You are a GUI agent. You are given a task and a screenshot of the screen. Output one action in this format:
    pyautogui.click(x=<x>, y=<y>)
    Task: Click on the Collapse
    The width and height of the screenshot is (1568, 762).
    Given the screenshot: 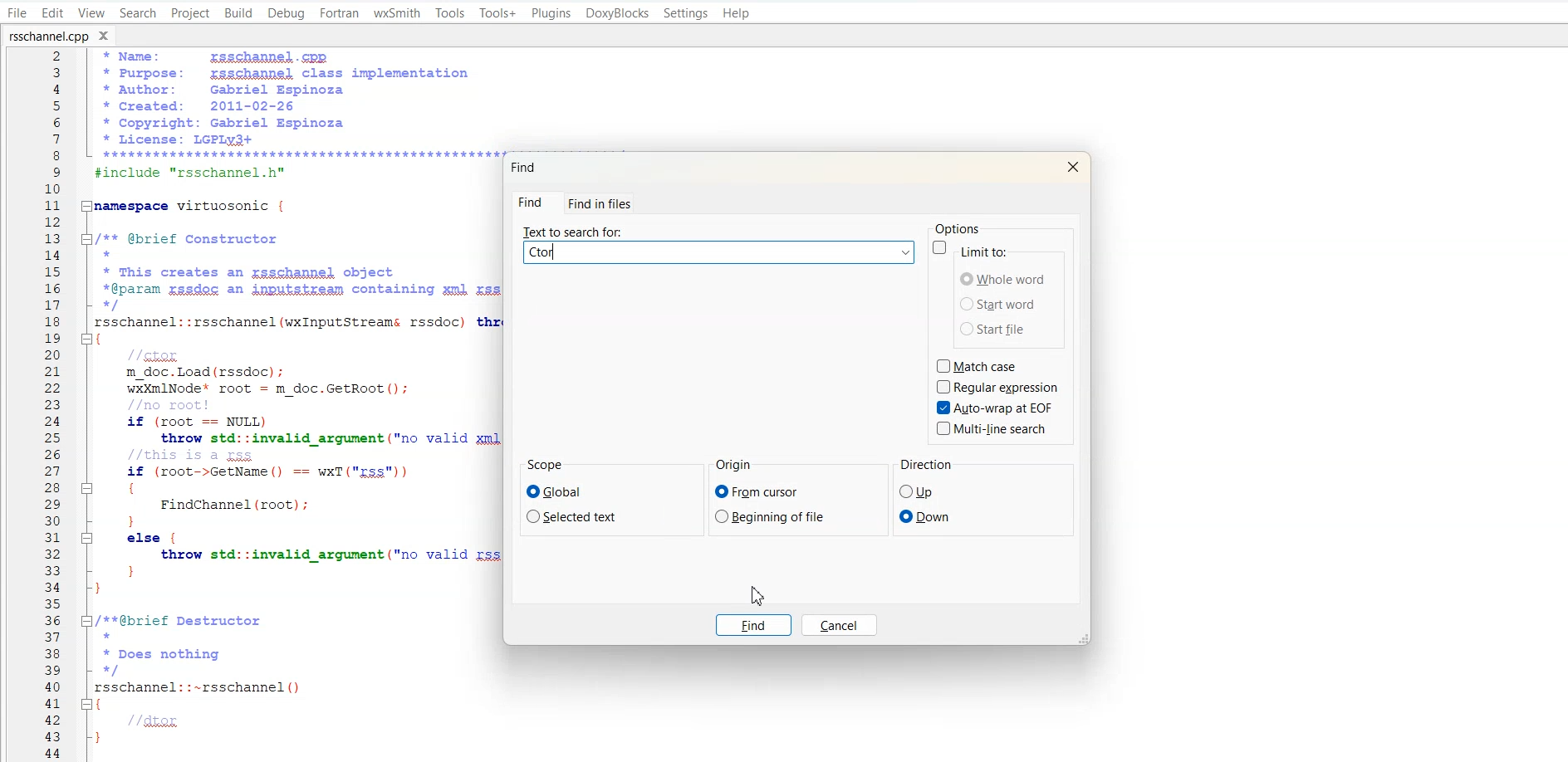 What is the action you would take?
    pyautogui.click(x=89, y=205)
    